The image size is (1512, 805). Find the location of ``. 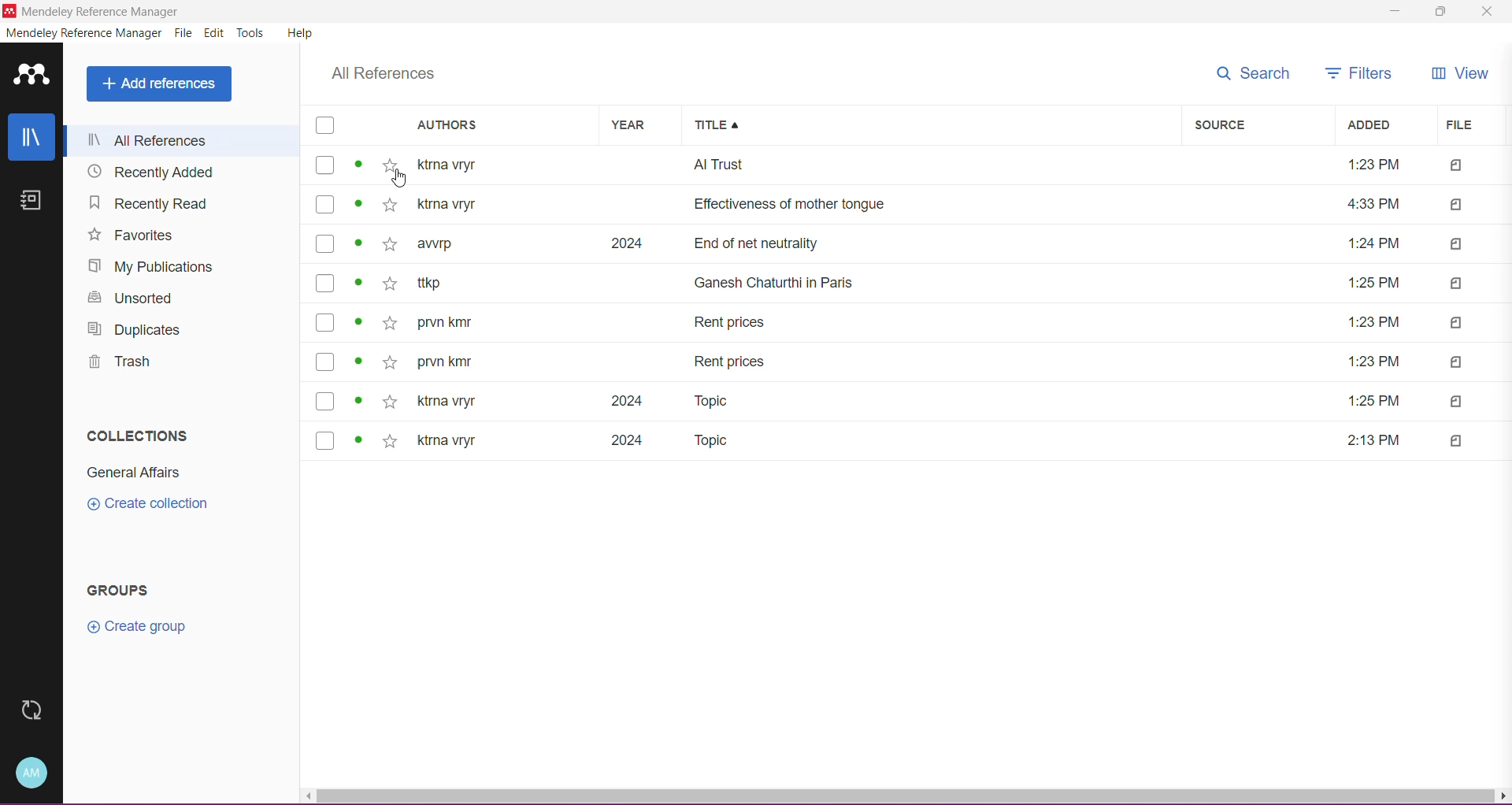

 is located at coordinates (145, 203).